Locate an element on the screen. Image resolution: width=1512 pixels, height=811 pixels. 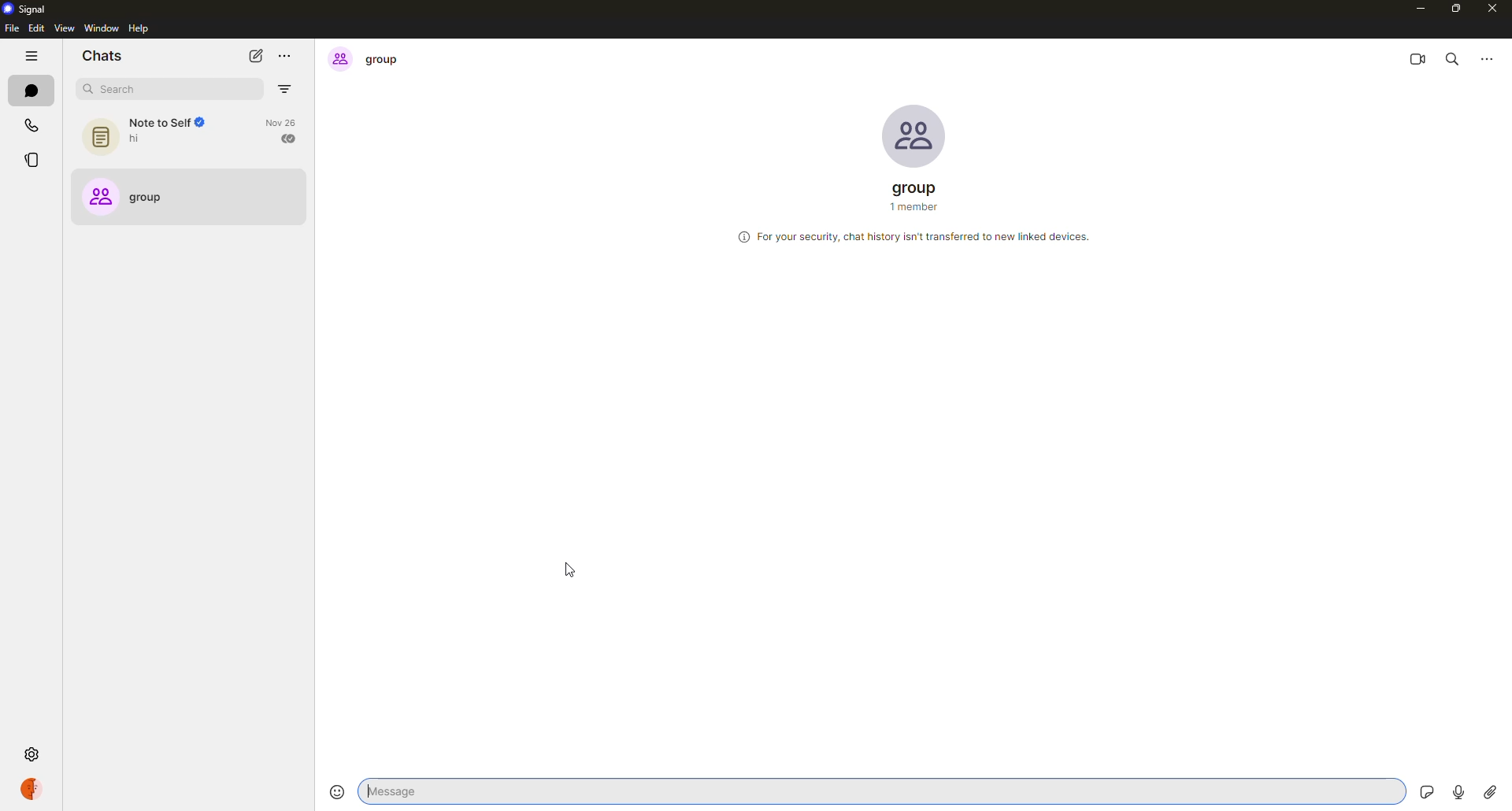
more is located at coordinates (1488, 57).